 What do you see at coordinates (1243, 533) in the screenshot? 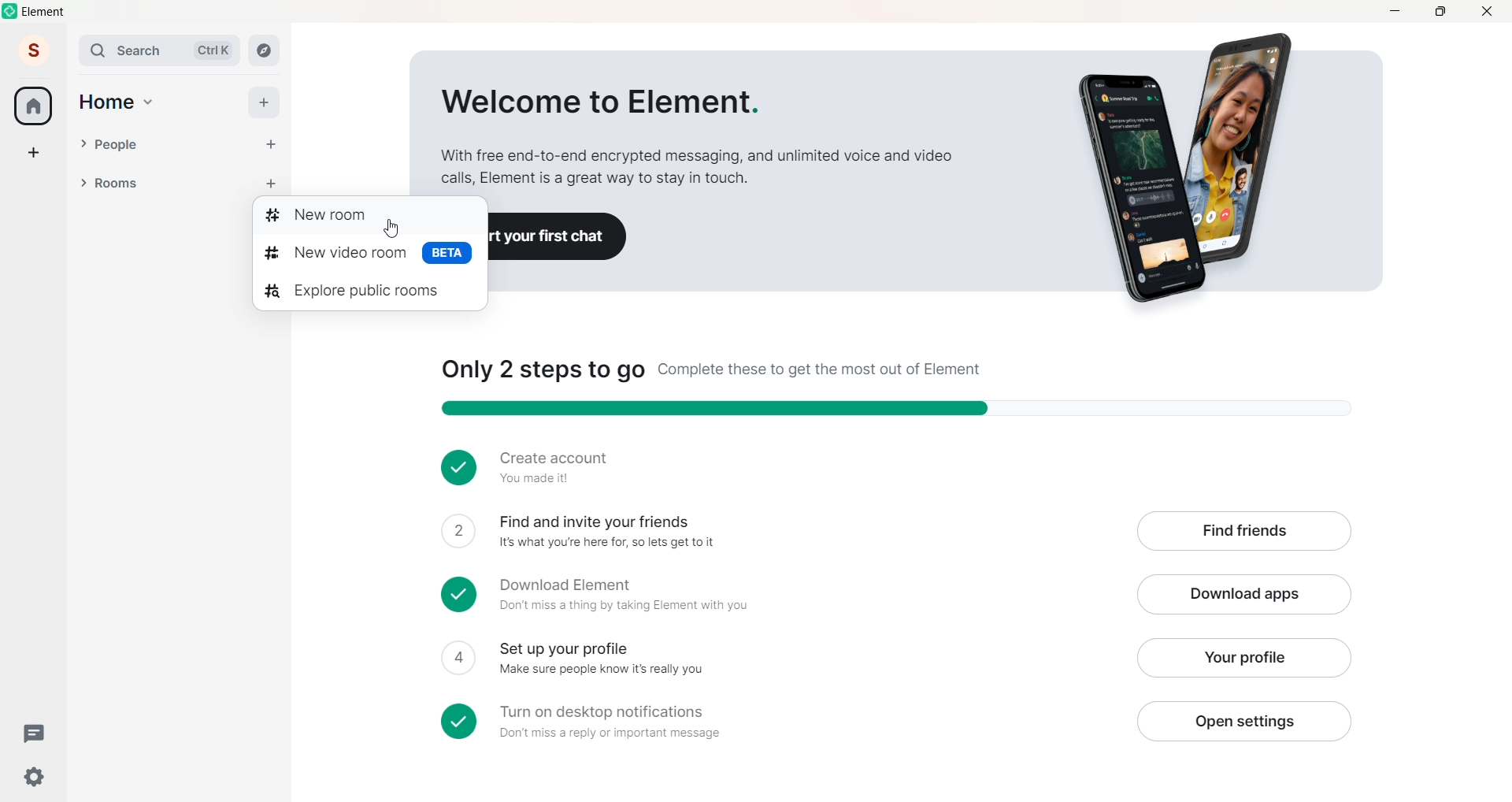
I see `Find Friends` at bounding box center [1243, 533].